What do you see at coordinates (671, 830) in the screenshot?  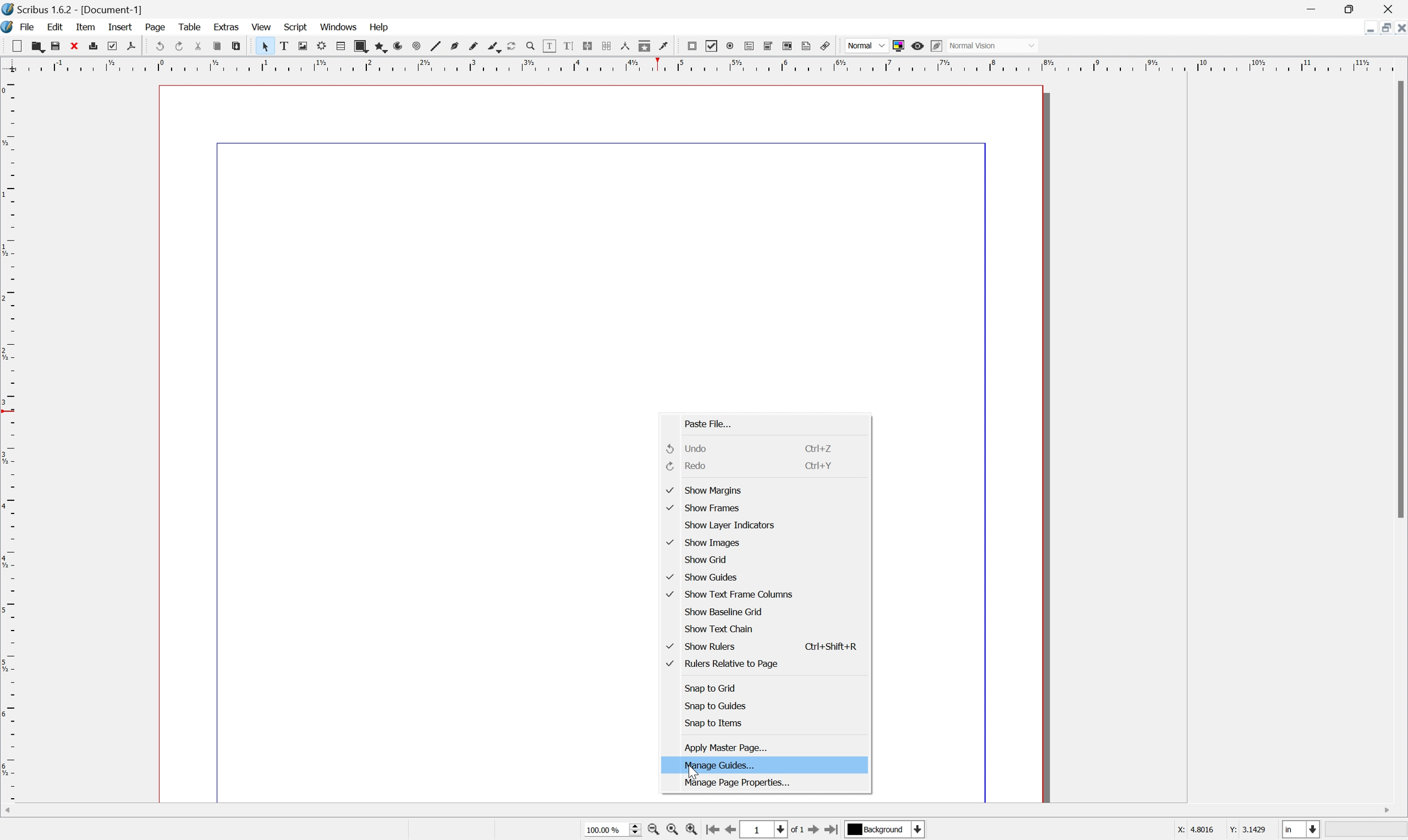 I see `zoom out` at bounding box center [671, 830].